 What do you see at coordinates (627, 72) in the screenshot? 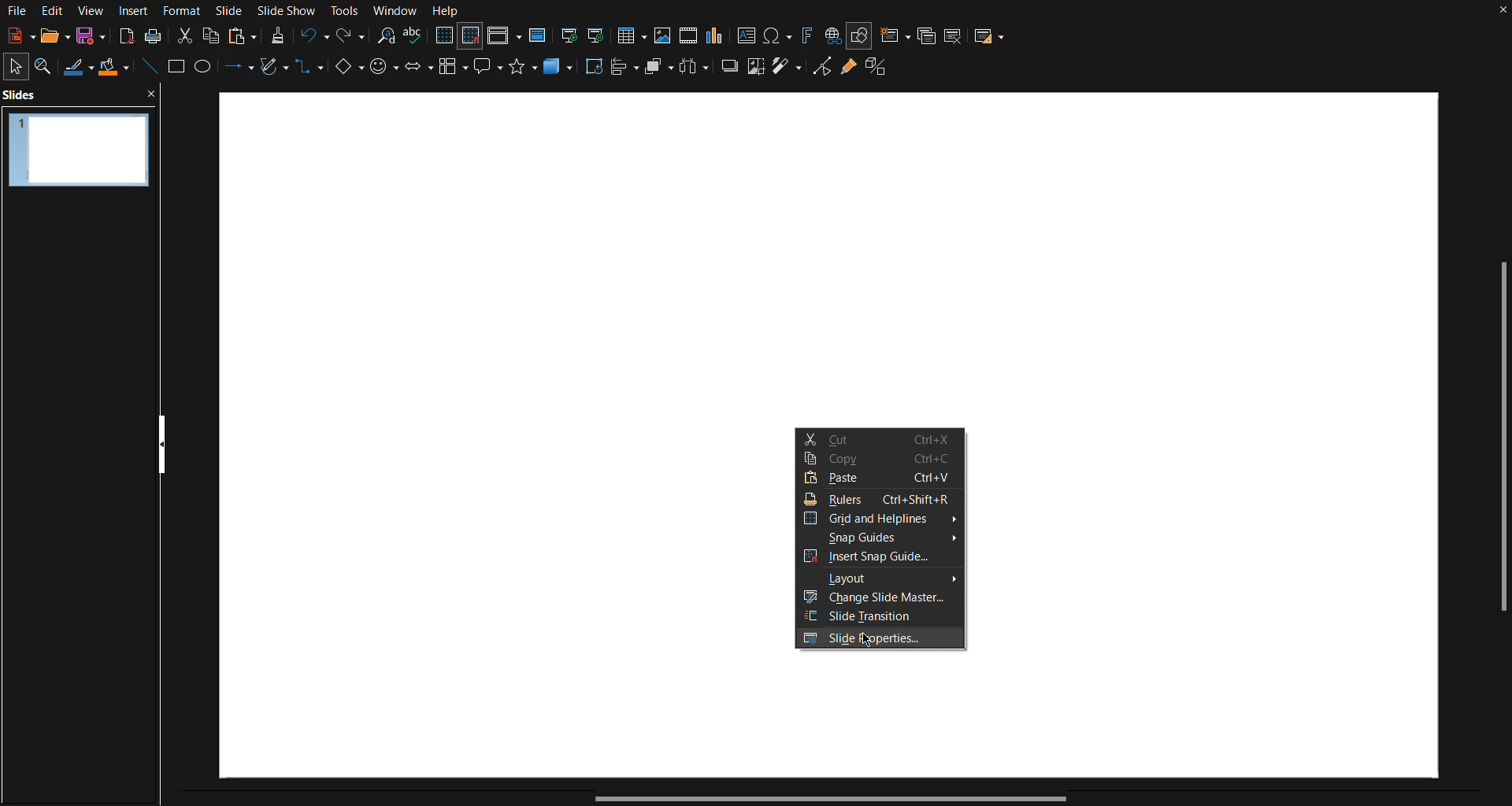
I see `Align Objects` at bounding box center [627, 72].